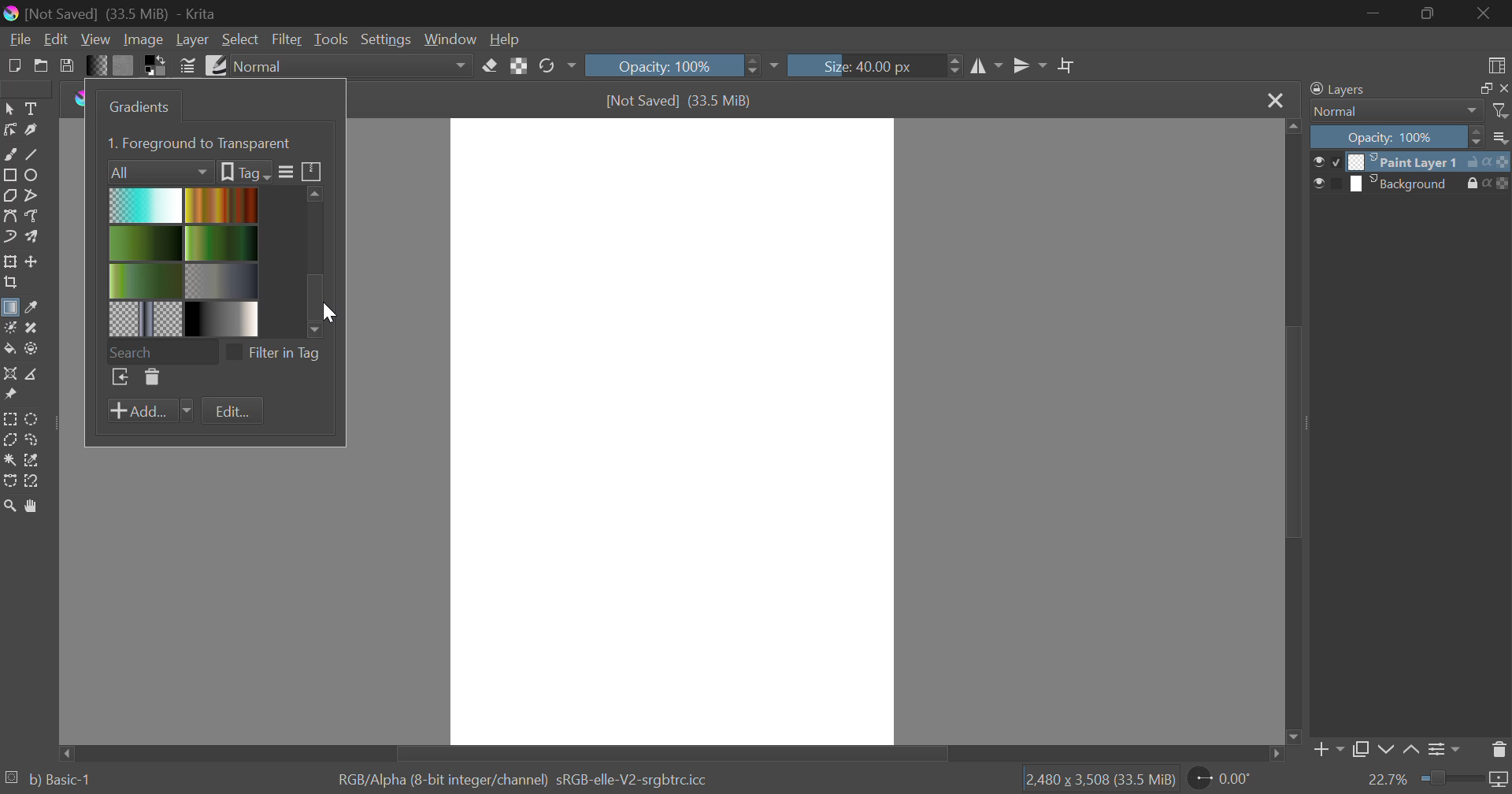 The height and width of the screenshot is (794, 1512). What do you see at coordinates (32, 440) in the screenshot?
I see `Freehand Selection` at bounding box center [32, 440].